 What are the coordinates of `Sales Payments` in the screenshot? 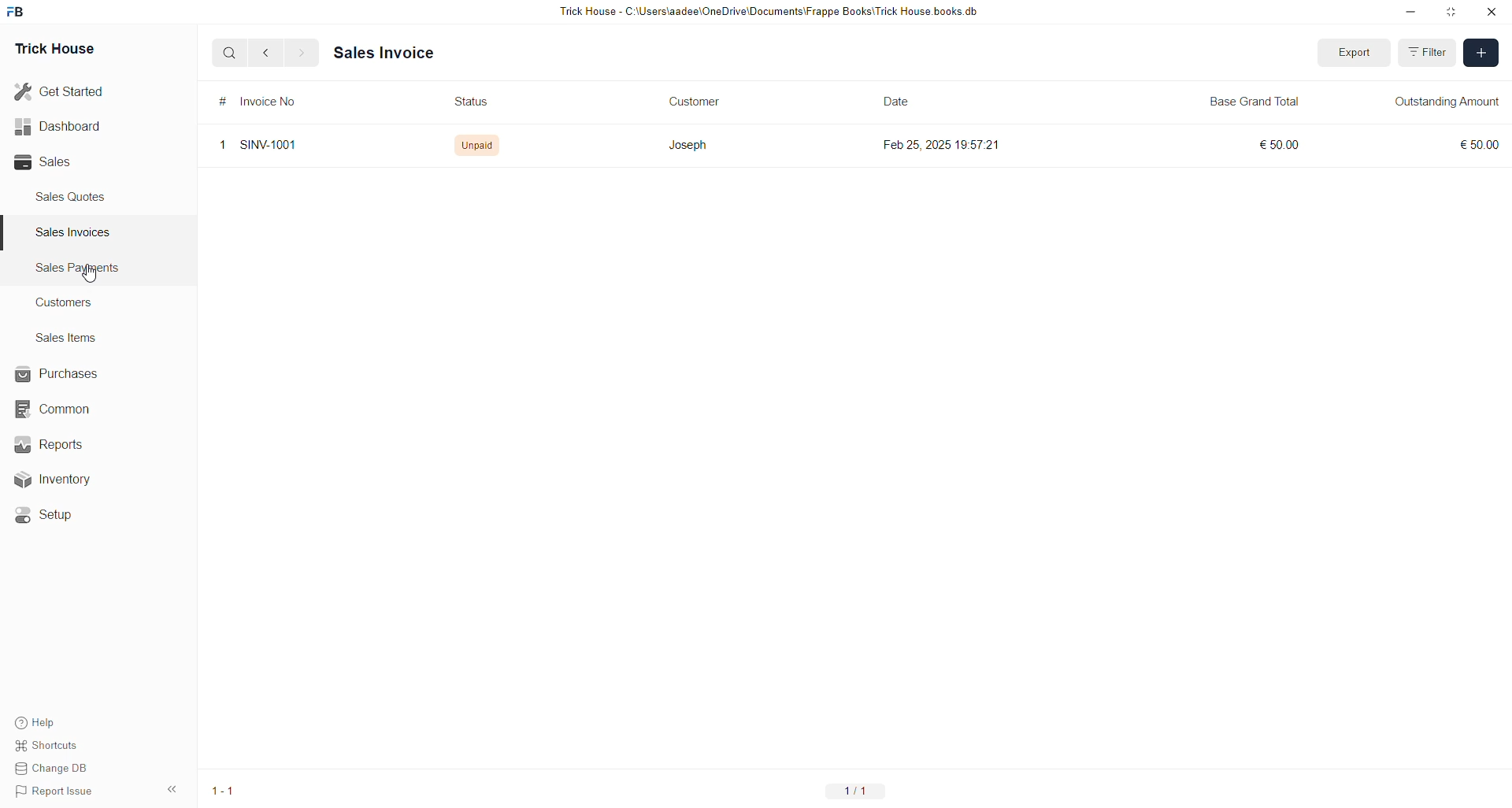 It's located at (80, 268).